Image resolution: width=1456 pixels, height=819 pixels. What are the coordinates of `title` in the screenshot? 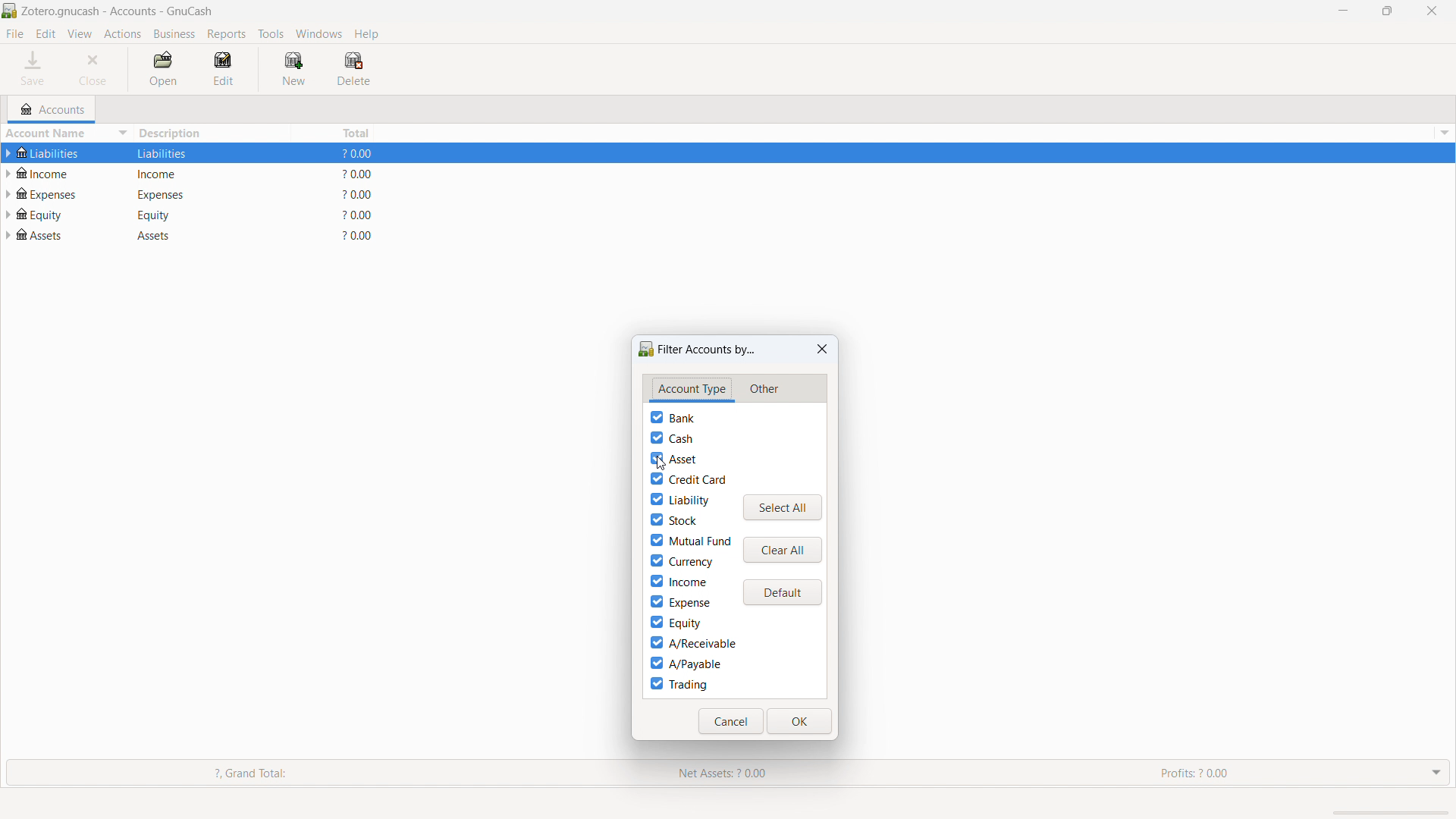 It's located at (118, 11).